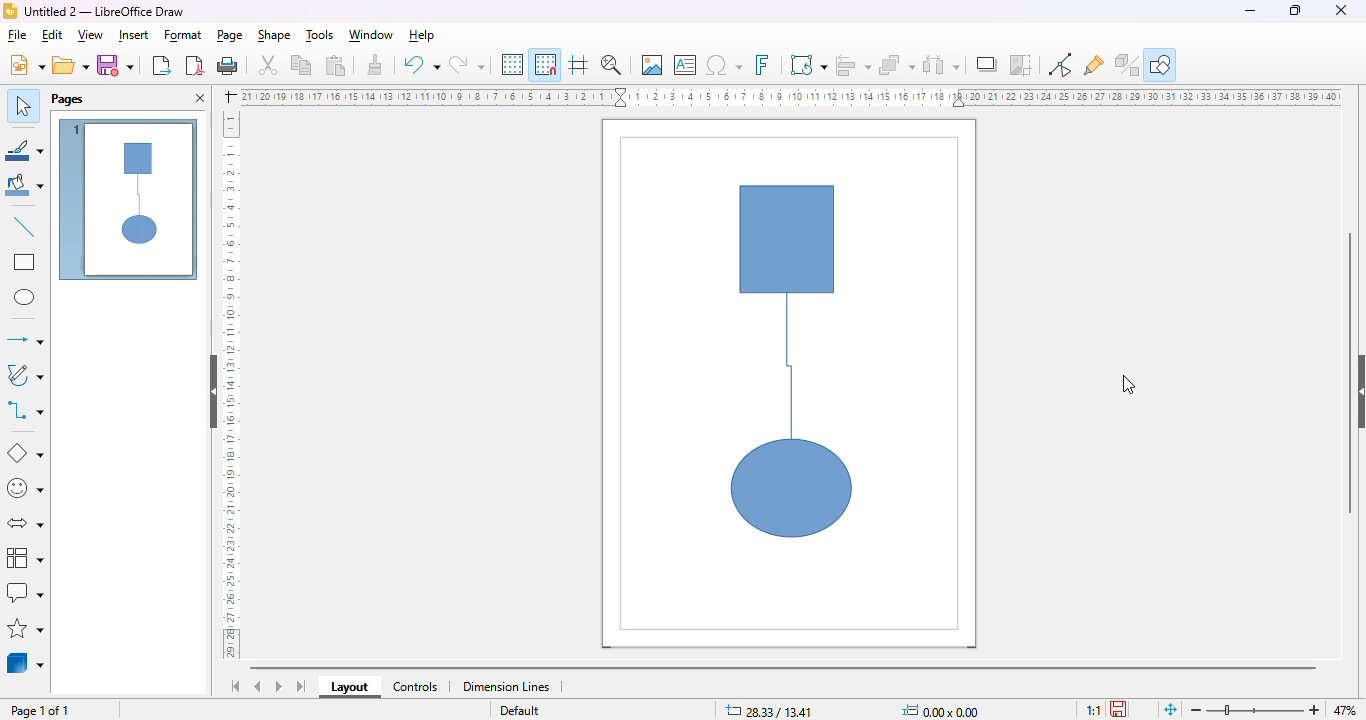 This screenshot has width=1366, height=720. Describe the element at coordinates (23, 104) in the screenshot. I see `select` at that location.